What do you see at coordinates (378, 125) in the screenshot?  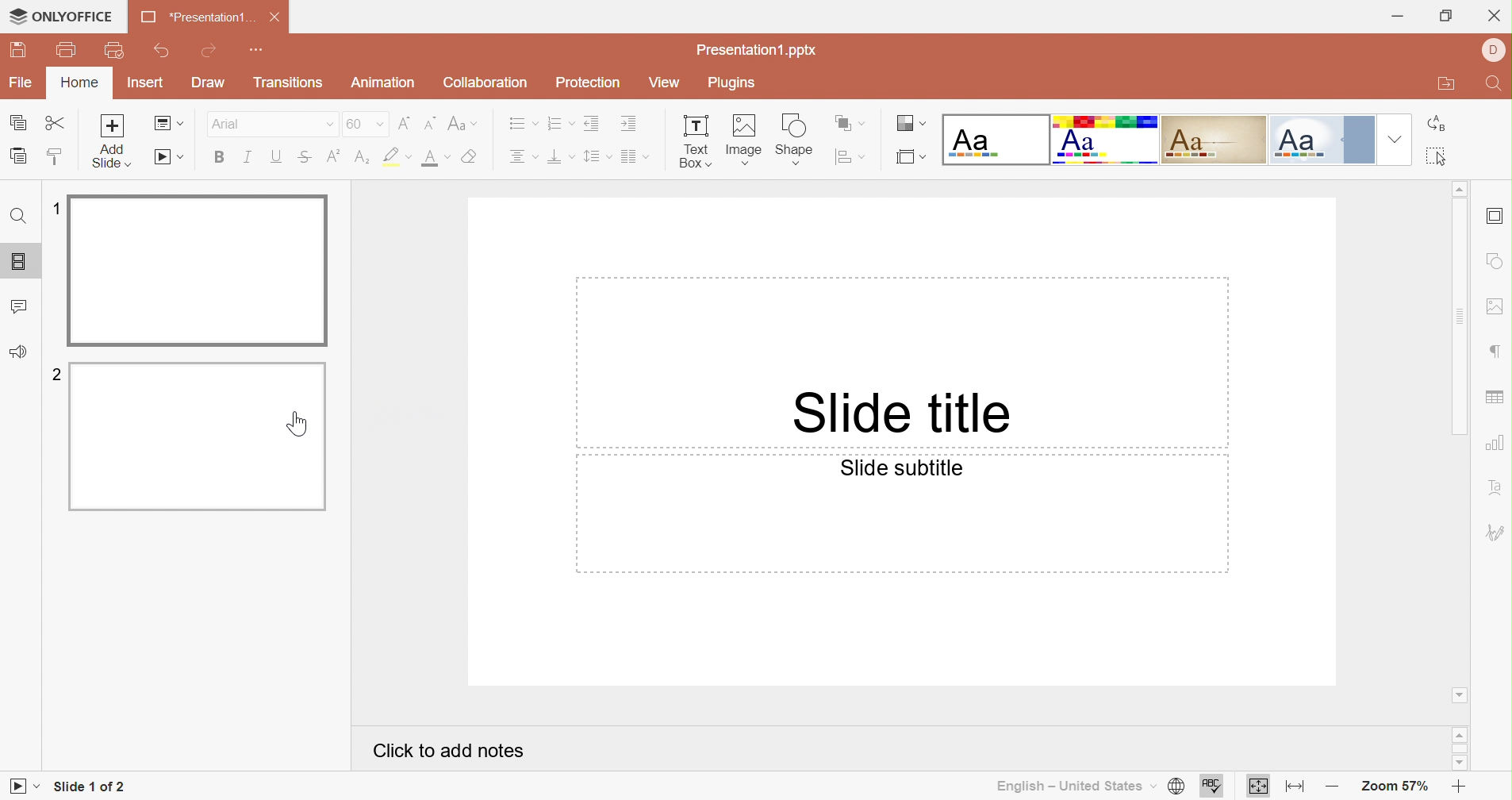 I see `Drop Down` at bounding box center [378, 125].